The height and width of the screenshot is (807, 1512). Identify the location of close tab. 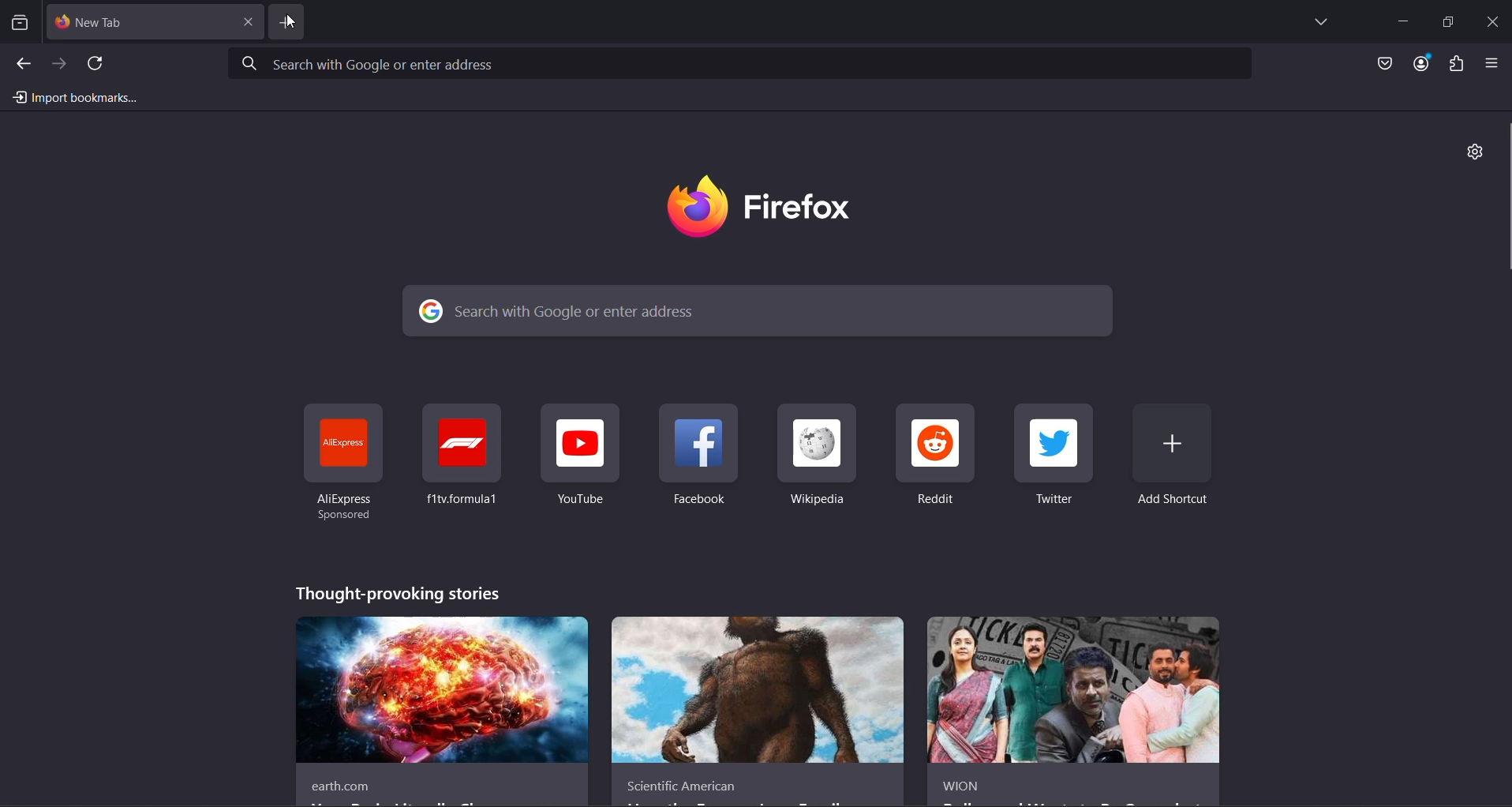
(248, 21).